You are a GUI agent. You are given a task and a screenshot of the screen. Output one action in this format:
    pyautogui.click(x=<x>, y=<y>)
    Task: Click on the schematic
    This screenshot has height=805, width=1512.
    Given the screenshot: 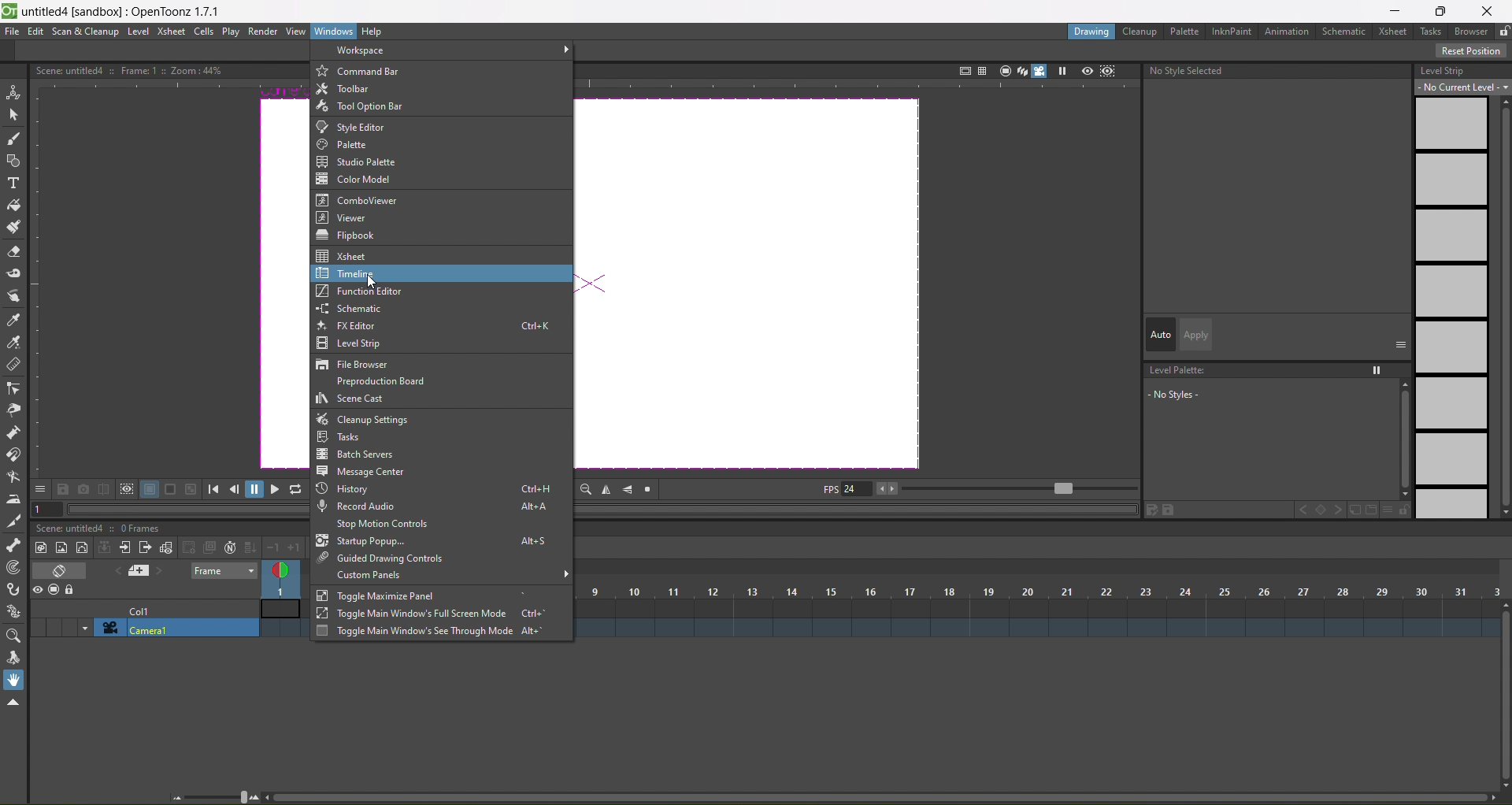 What is the action you would take?
    pyautogui.click(x=358, y=309)
    